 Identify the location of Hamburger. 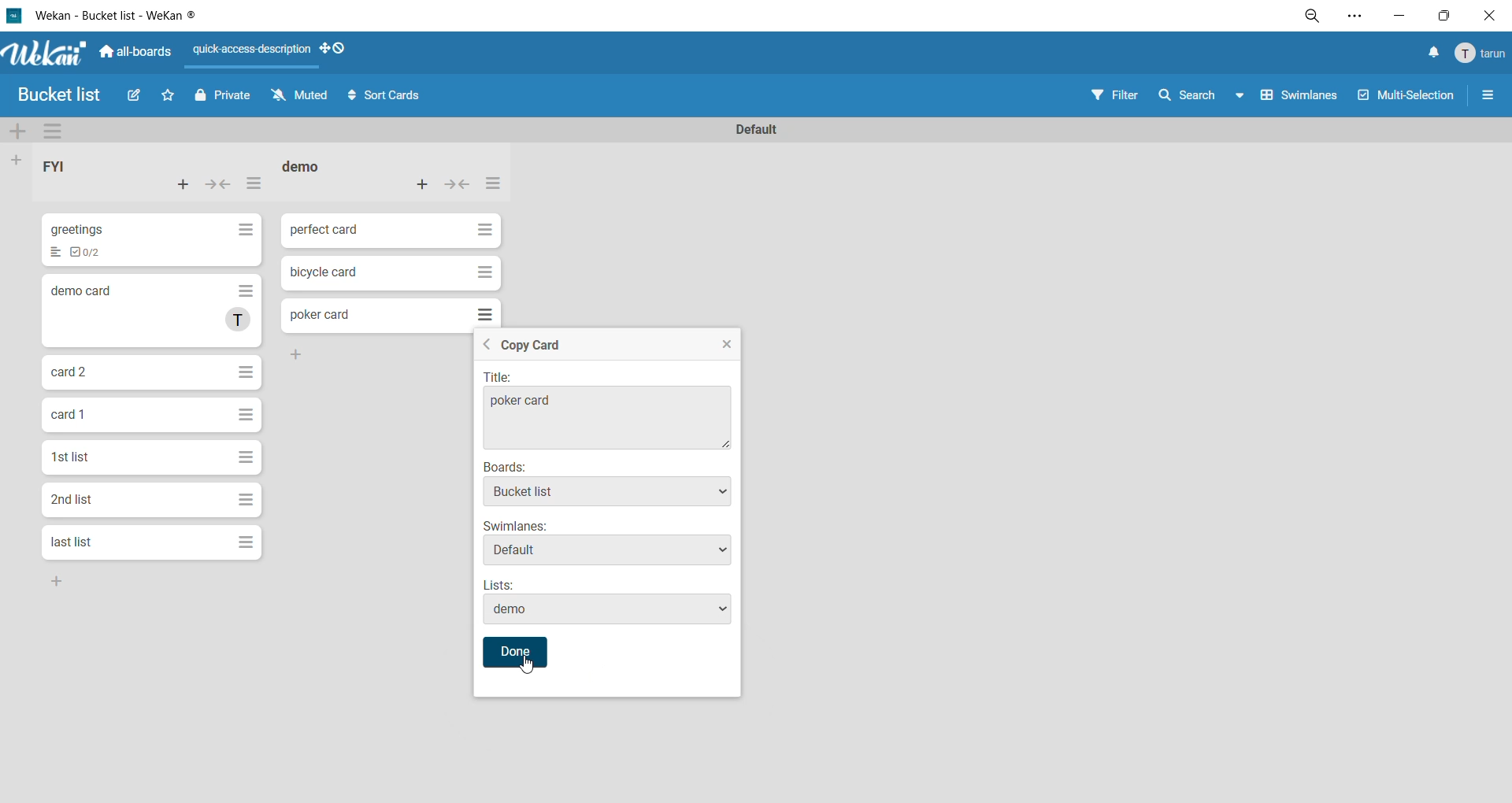
(243, 498).